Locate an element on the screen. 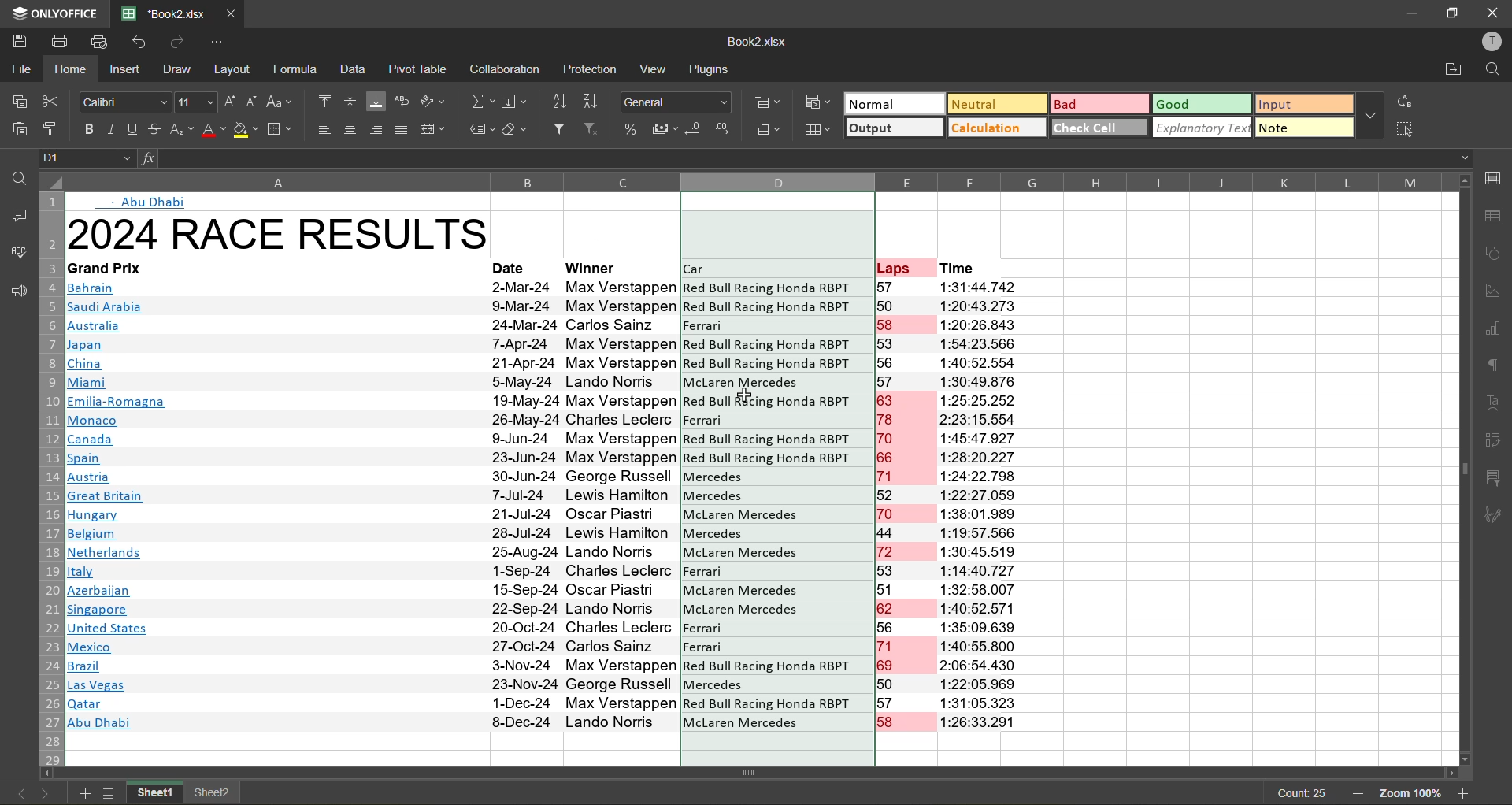 Image resolution: width=1512 pixels, height=805 pixels. note is located at coordinates (1304, 128).